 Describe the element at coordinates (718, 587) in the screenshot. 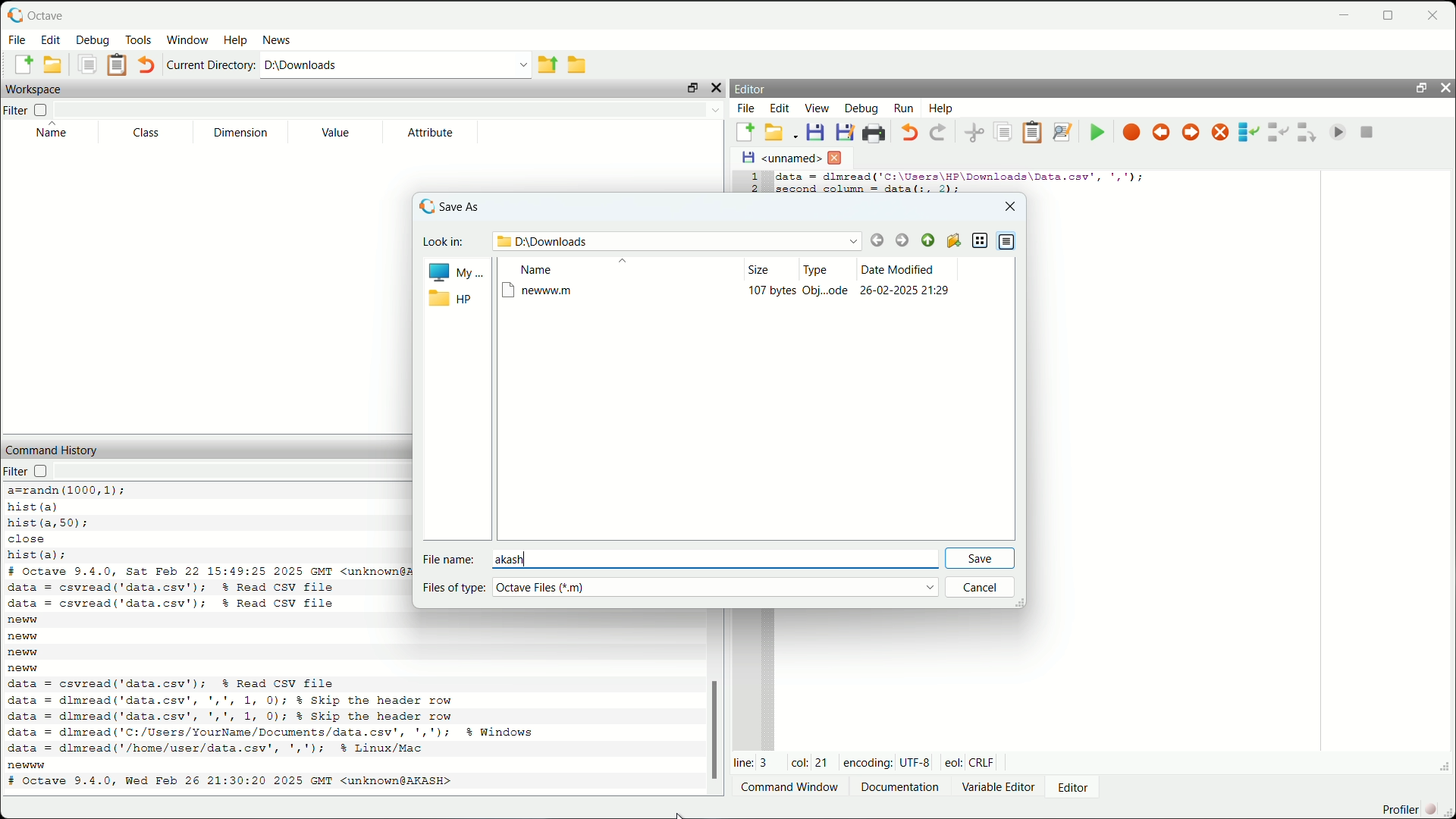

I see `select file type` at that location.